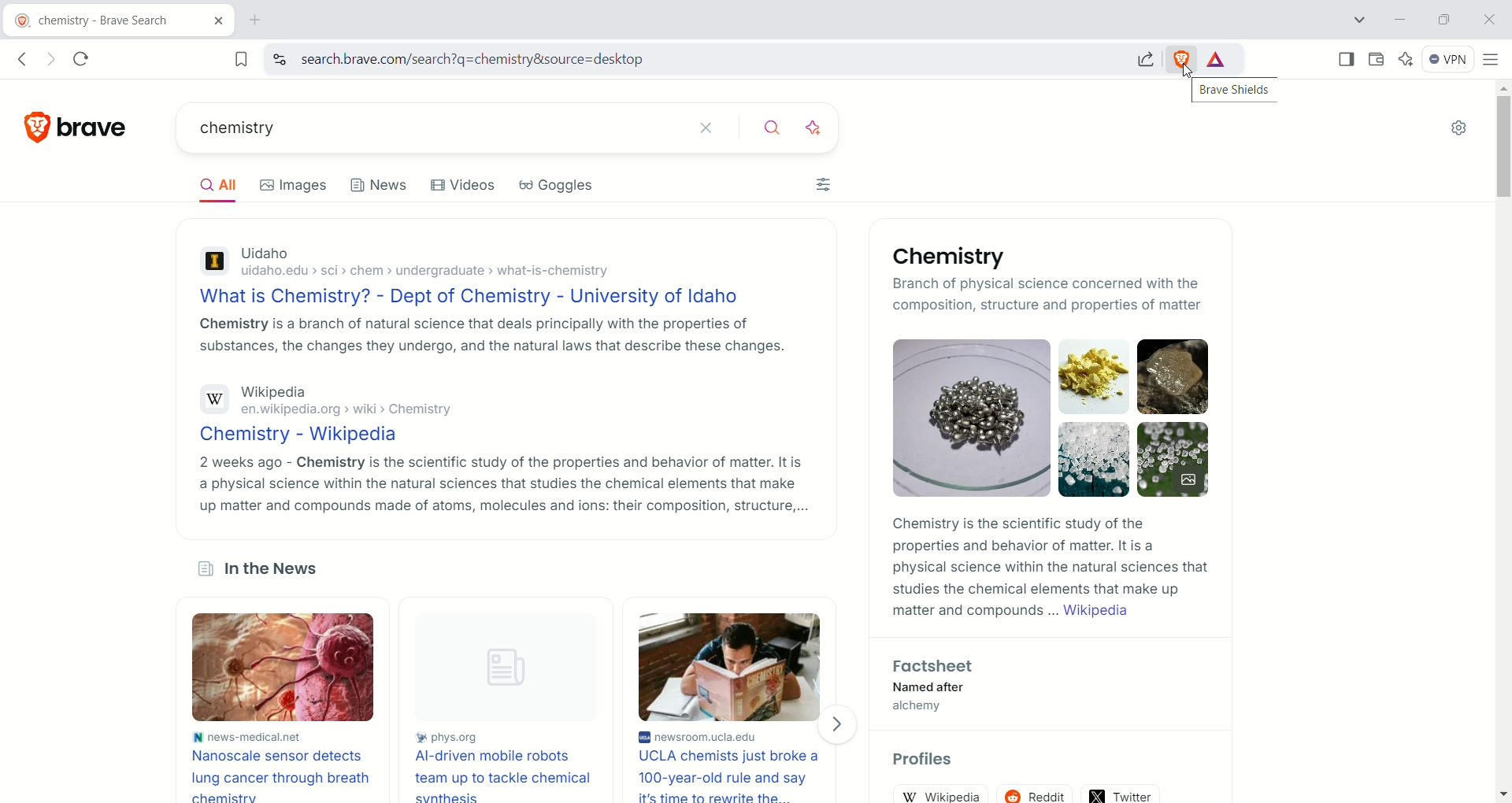  Describe the element at coordinates (734, 776) in the screenshot. I see `UCLA chemists just broke a 100-year old rule and say it's time to rewrite the` at that location.